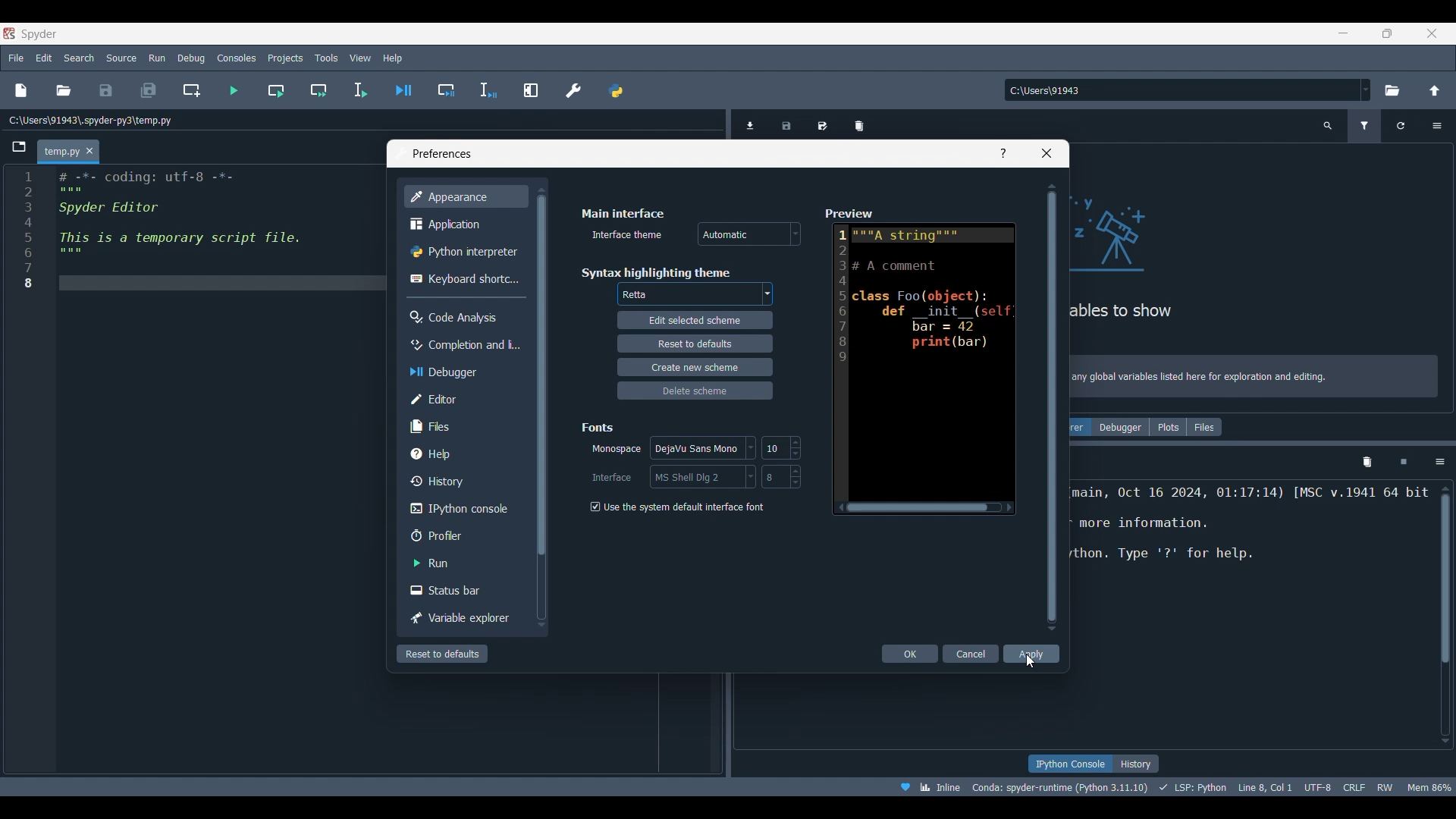  Describe the element at coordinates (463, 619) in the screenshot. I see `Variable explorer` at that location.